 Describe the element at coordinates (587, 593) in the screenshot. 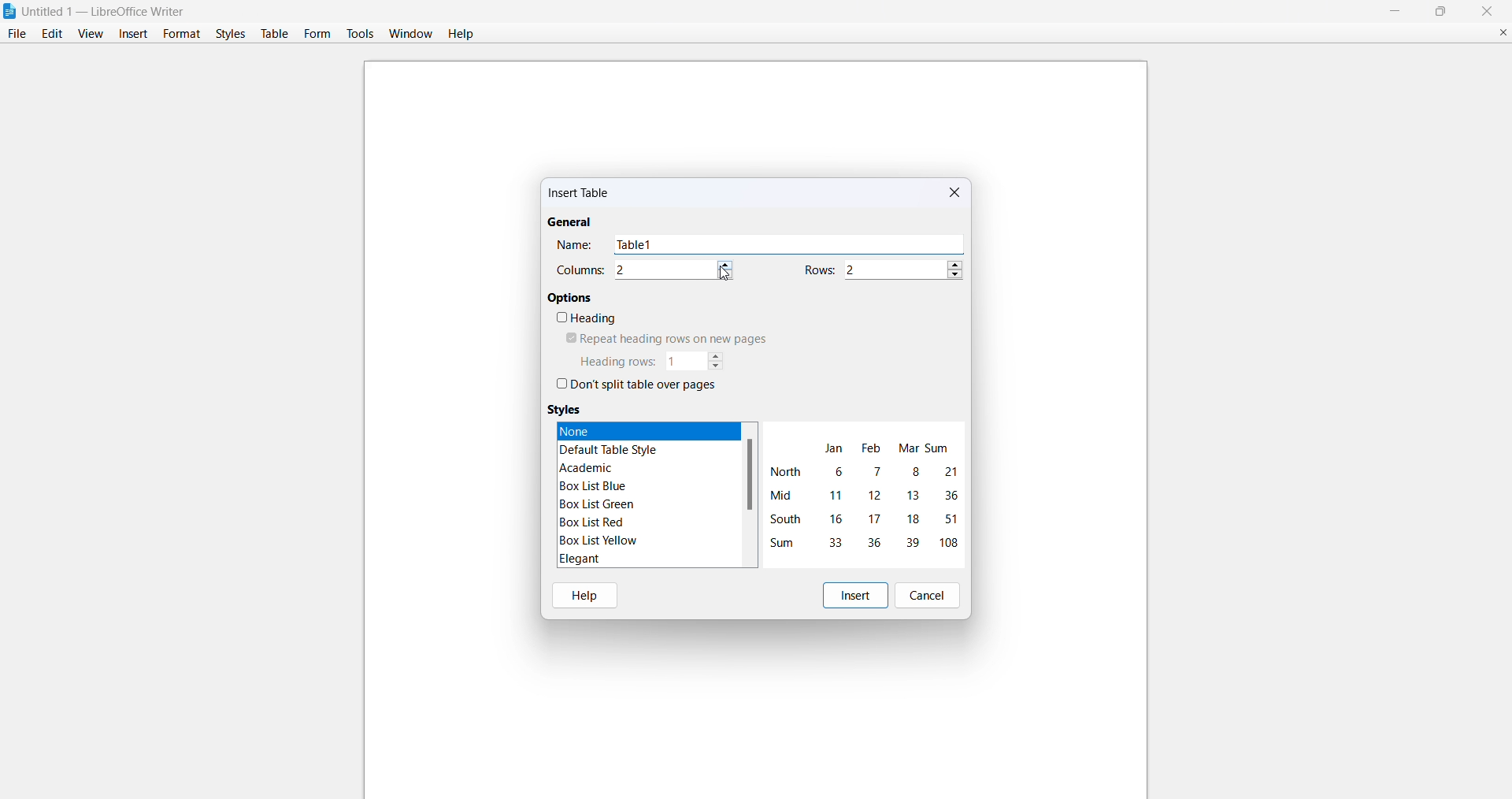

I see `help` at that location.